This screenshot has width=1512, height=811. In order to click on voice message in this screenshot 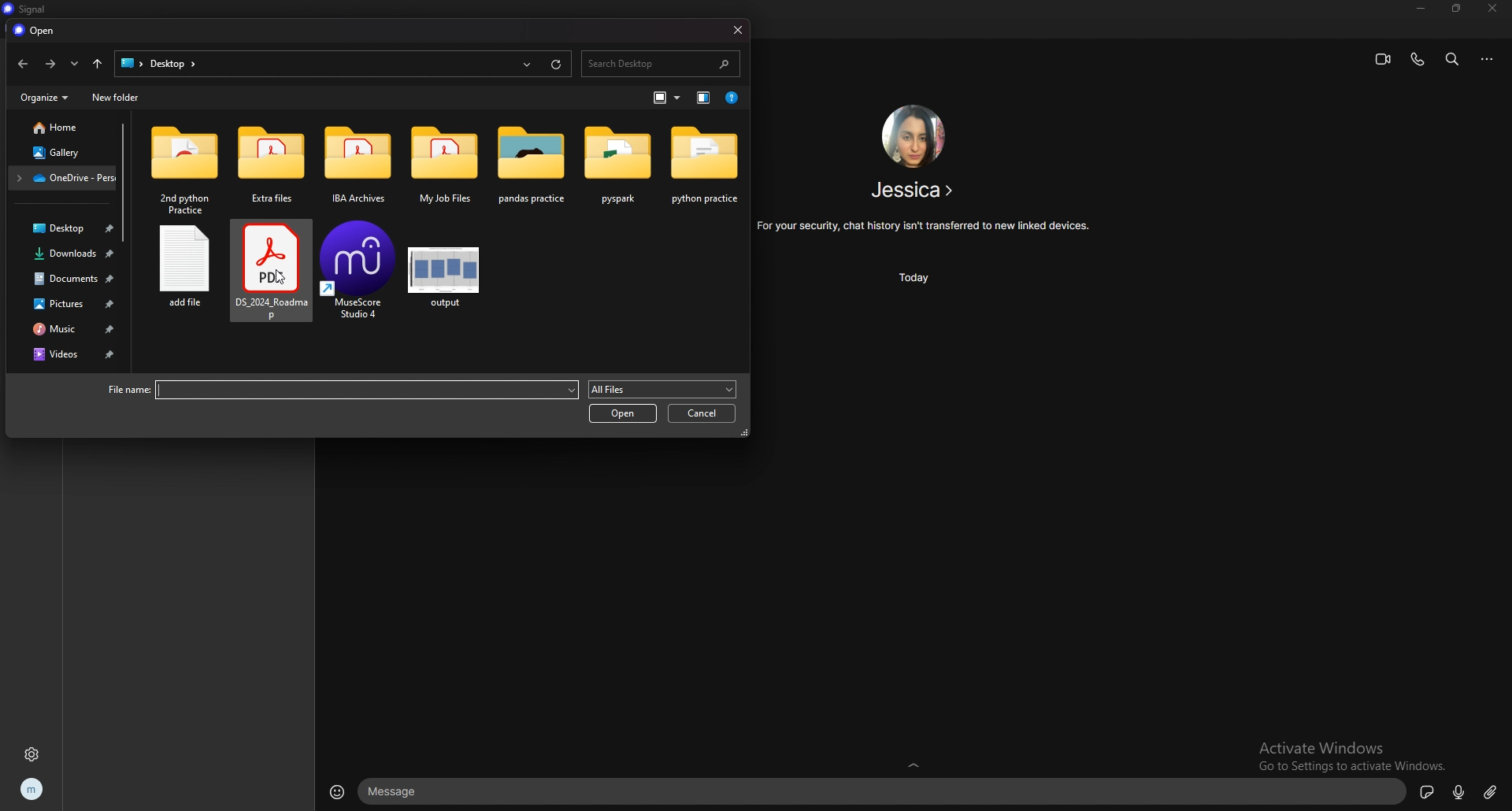, I will do `click(1458, 793)`.